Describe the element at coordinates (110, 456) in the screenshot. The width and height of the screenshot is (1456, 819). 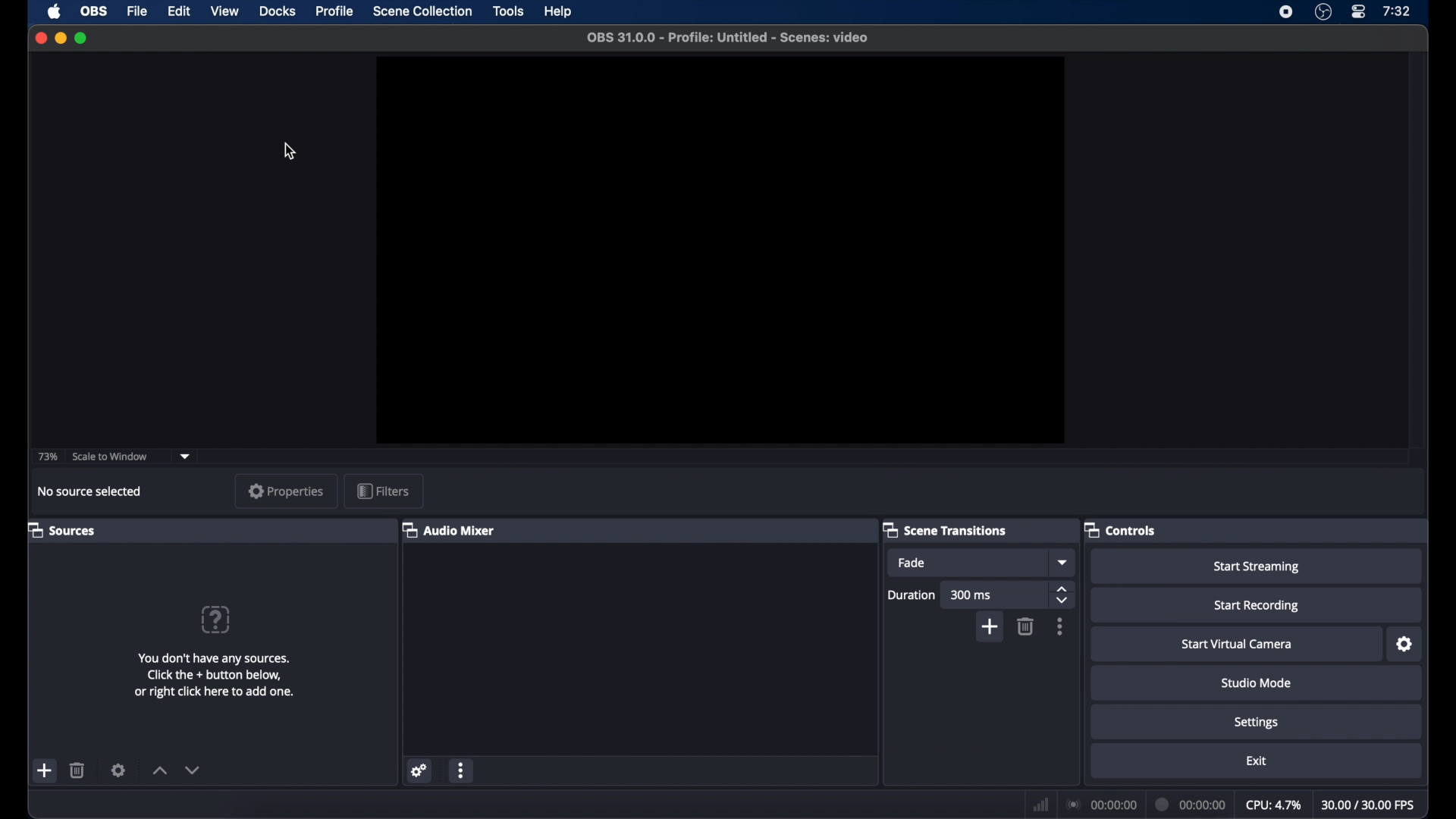
I see `scale to window` at that location.